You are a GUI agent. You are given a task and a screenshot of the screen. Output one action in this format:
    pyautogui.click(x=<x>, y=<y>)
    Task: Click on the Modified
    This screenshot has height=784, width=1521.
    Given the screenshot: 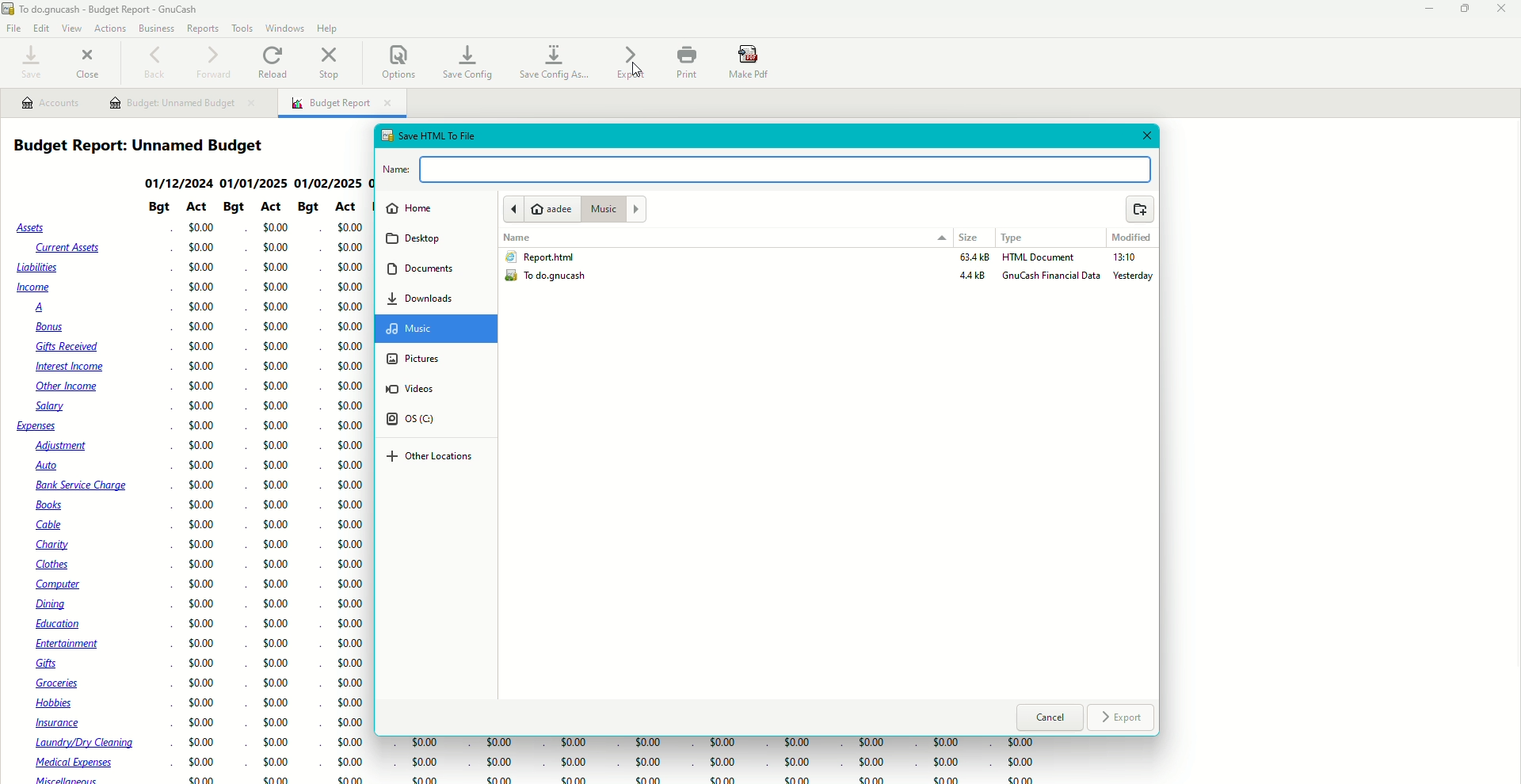 What is the action you would take?
    pyautogui.click(x=1130, y=238)
    